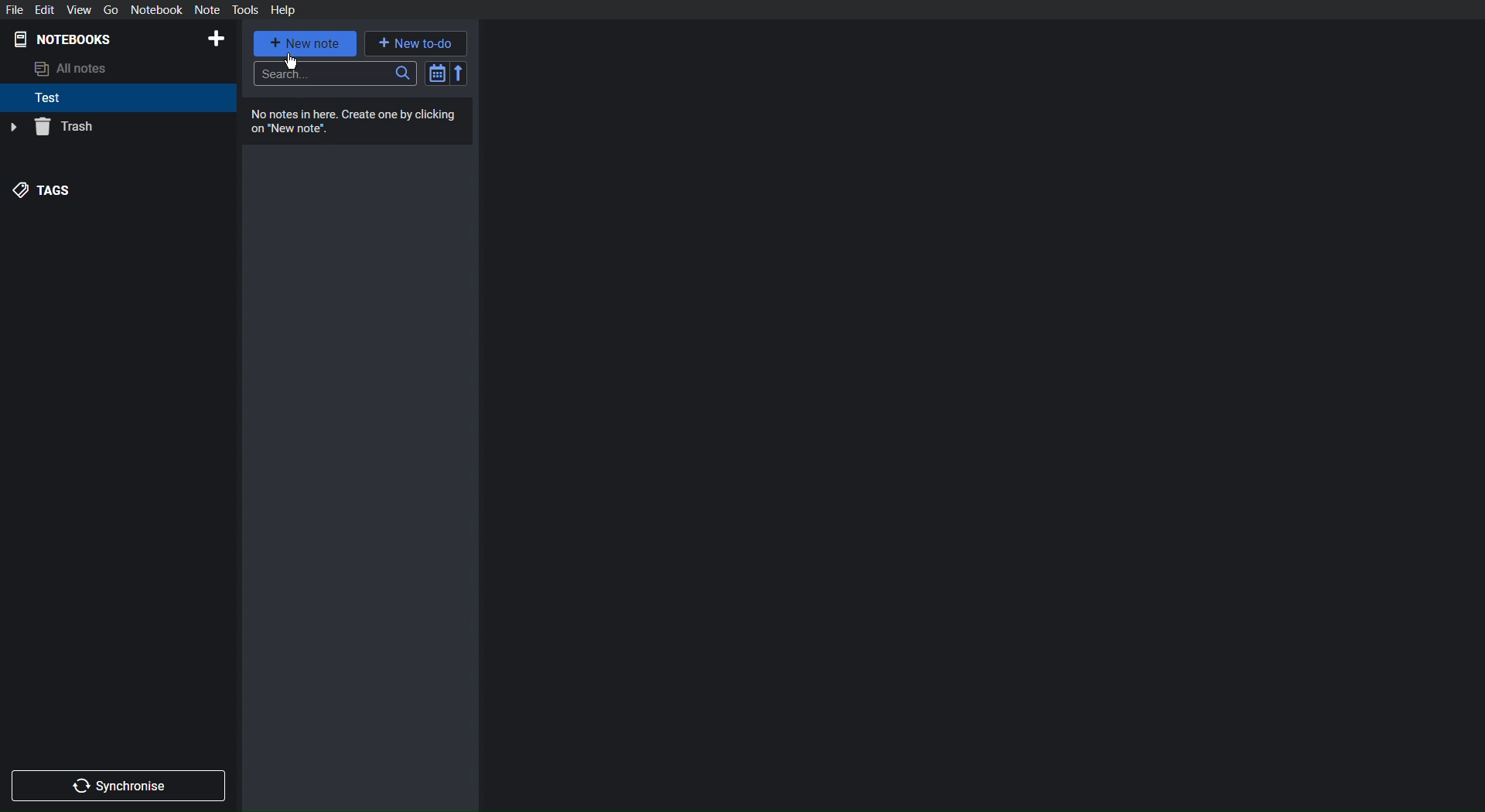 The height and width of the screenshot is (812, 1485). What do you see at coordinates (43, 191) in the screenshot?
I see `Tags` at bounding box center [43, 191].